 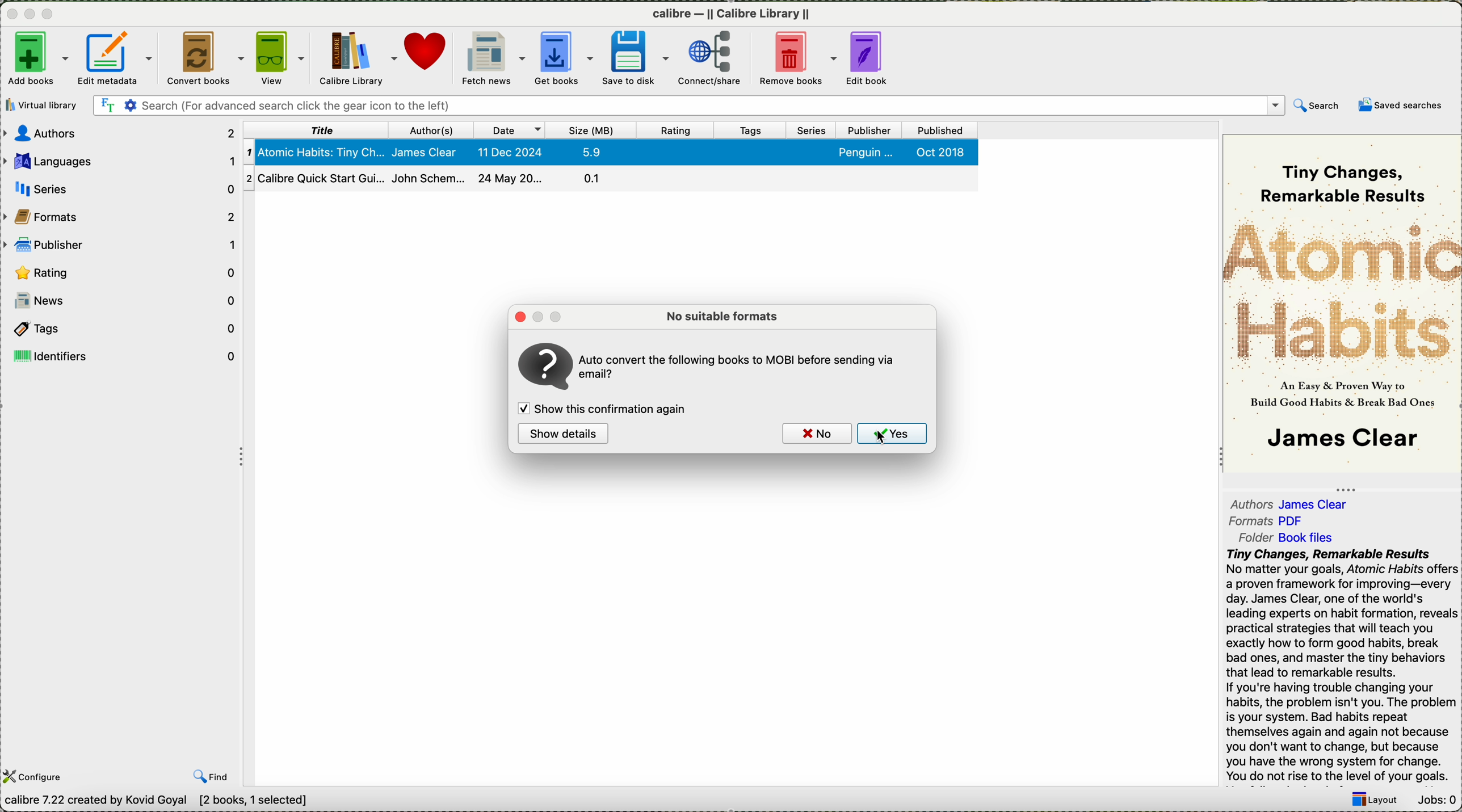 What do you see at coordinates (119, 188) in the screenshot?
I see `series` at bounding box center [119, 188].